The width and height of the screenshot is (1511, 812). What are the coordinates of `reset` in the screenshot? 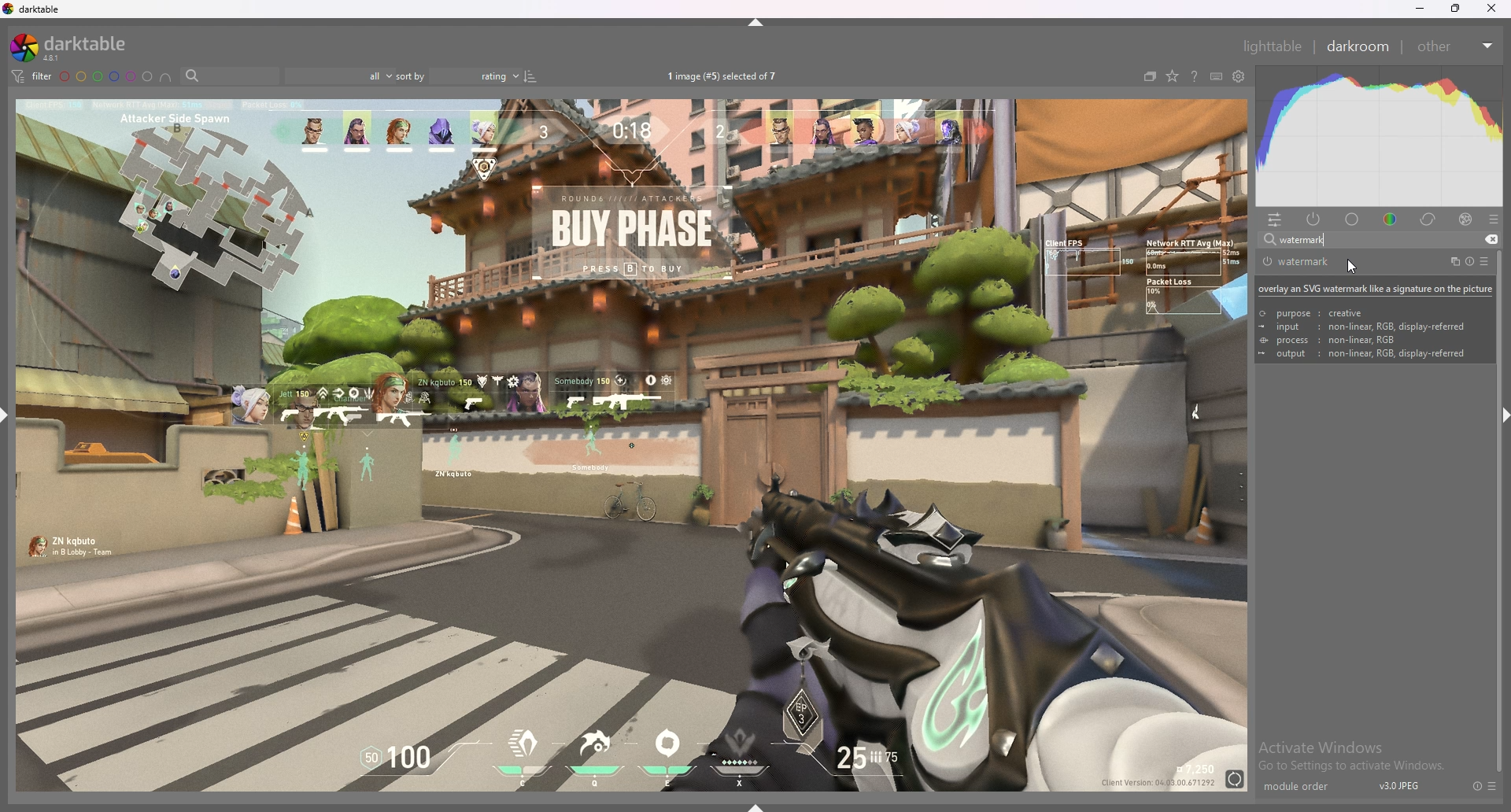 It's located at (1476, 786).